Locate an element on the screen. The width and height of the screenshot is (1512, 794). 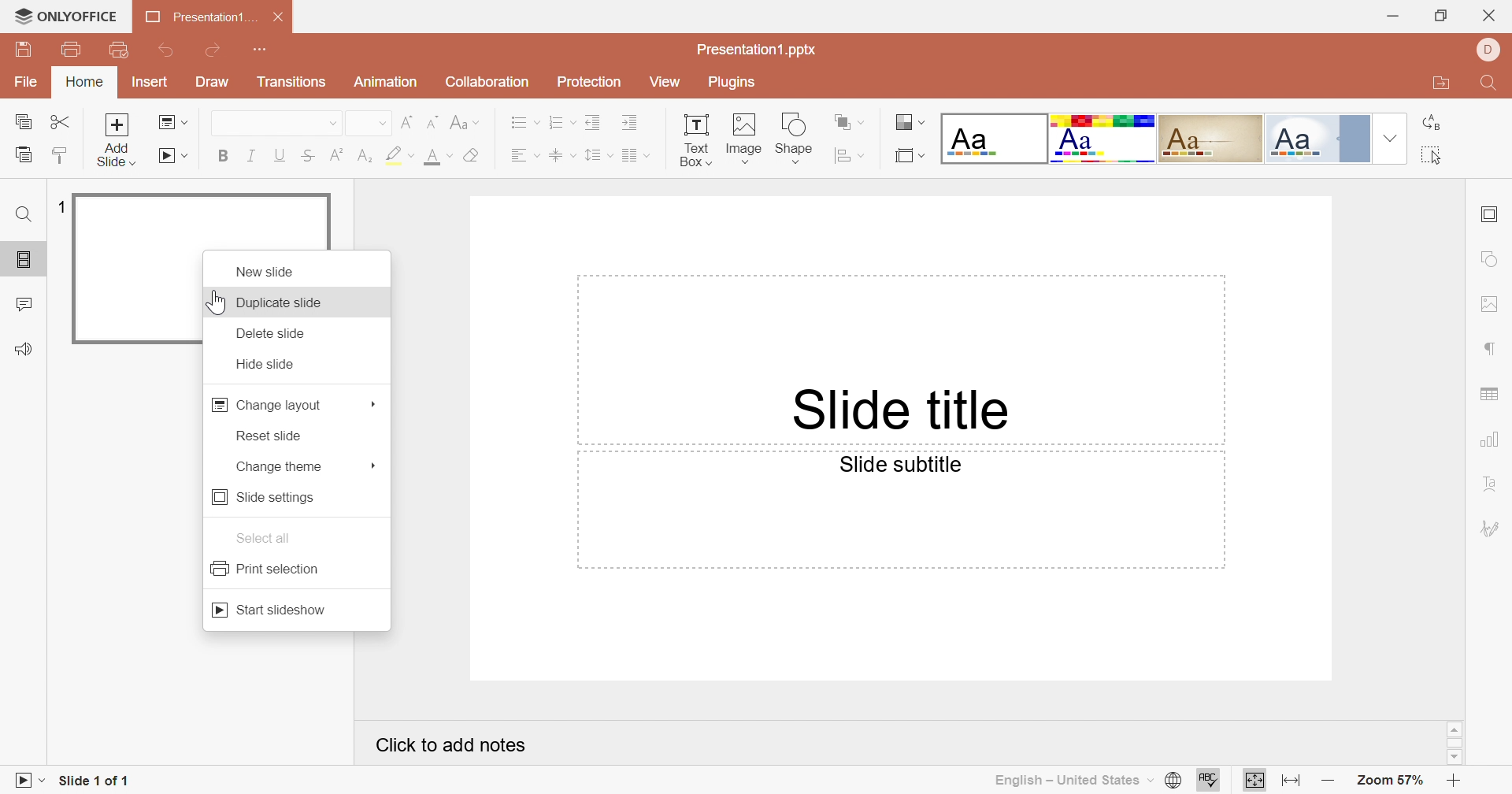
Fit to slide is located at coordinates (1292, 785).